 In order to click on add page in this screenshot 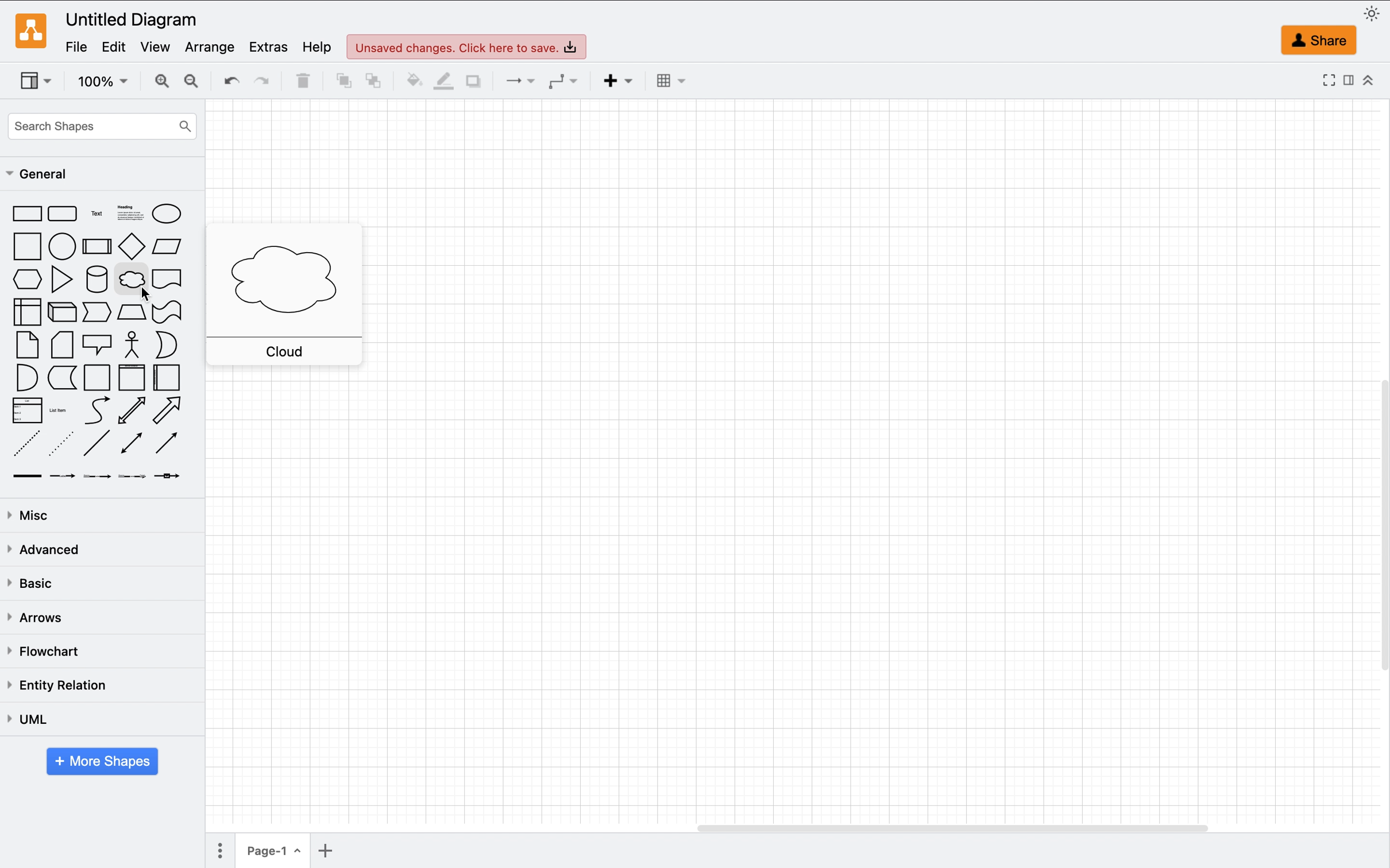, I will do `click(338, 854)`.